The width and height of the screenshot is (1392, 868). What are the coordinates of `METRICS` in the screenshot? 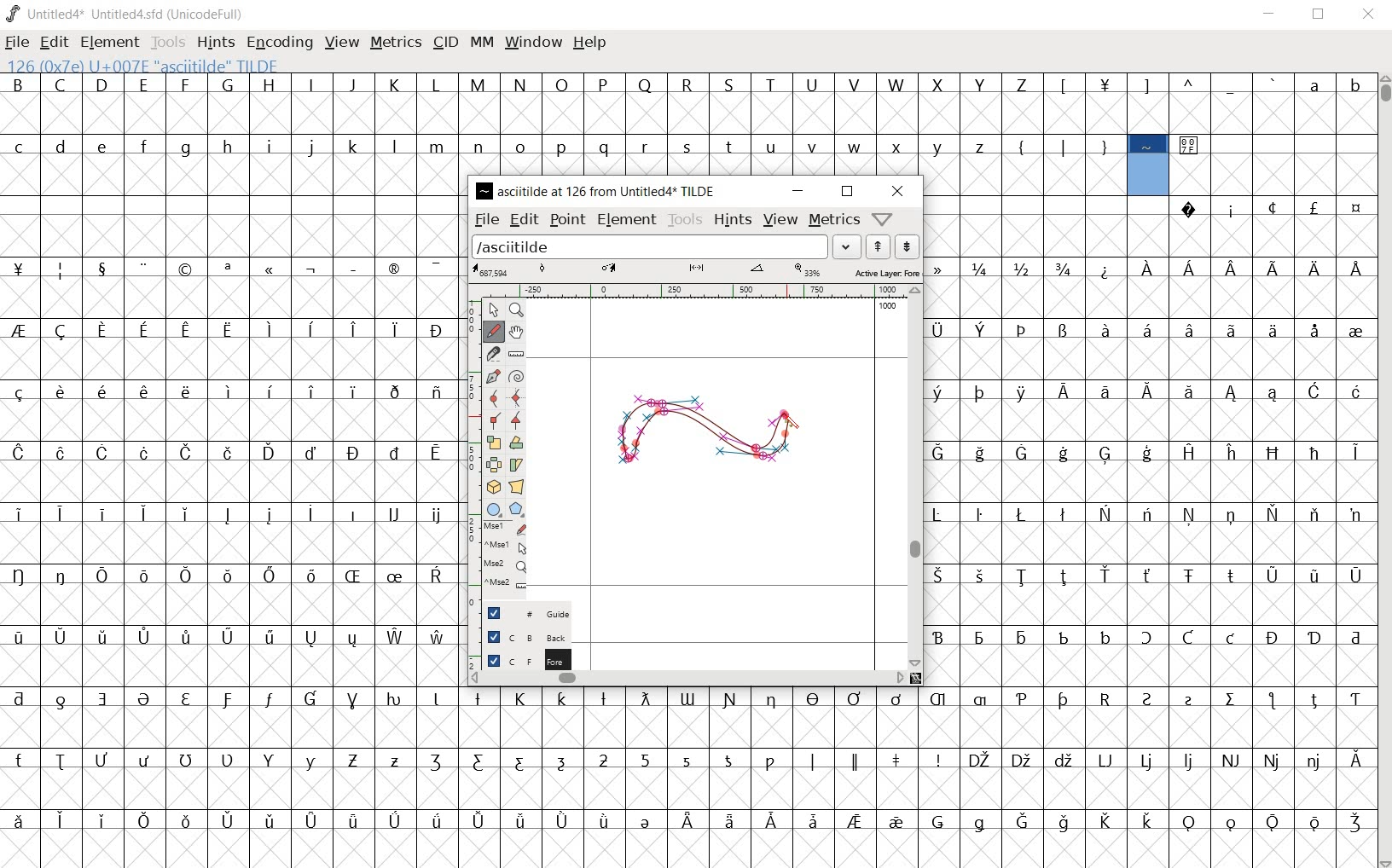 It's located at (395, 42).